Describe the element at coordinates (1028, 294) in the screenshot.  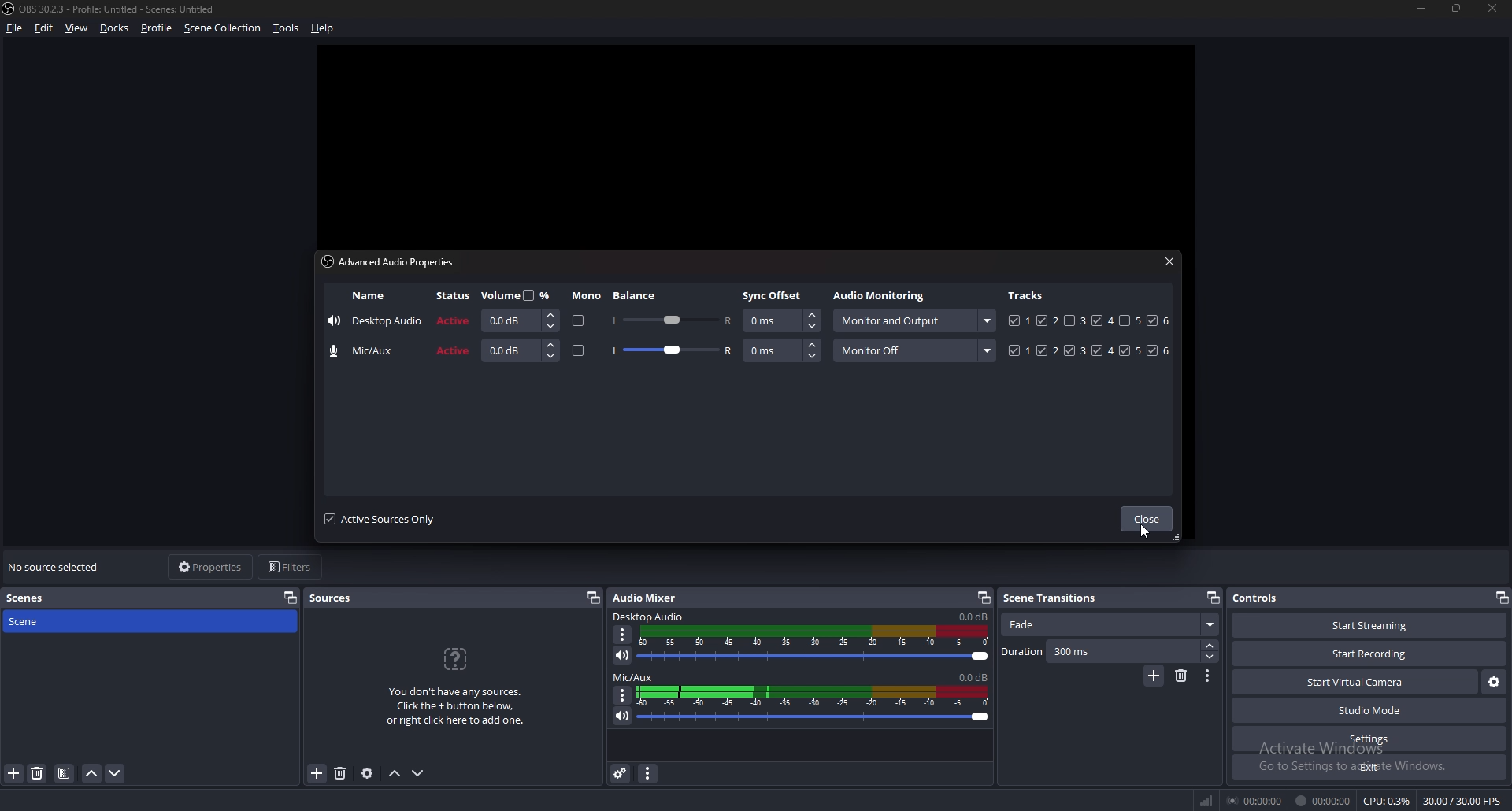
I see `tracks` at that location.